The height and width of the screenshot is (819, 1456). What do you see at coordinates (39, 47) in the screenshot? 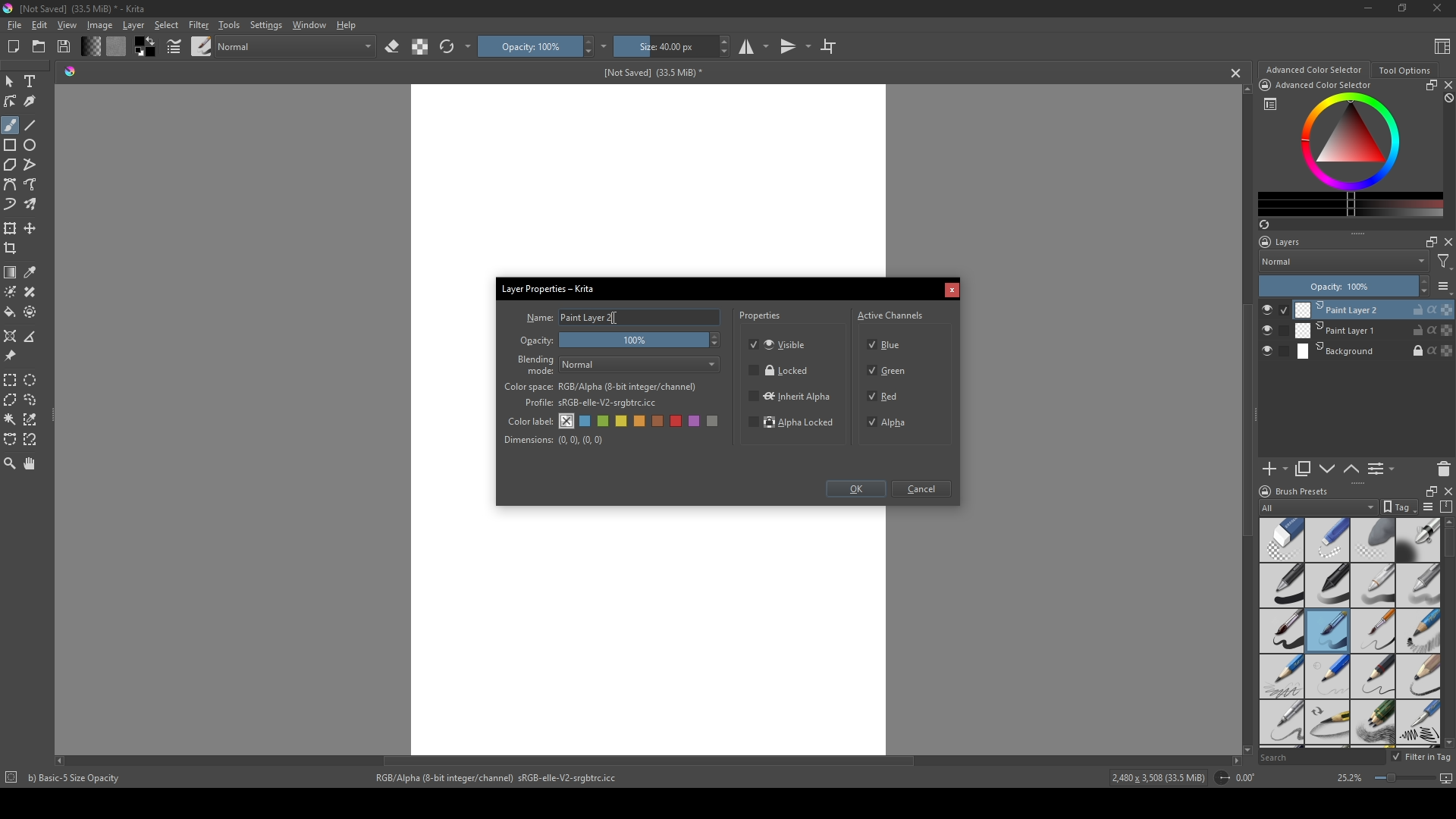
I see `folder` at bounding box center [39, 47].